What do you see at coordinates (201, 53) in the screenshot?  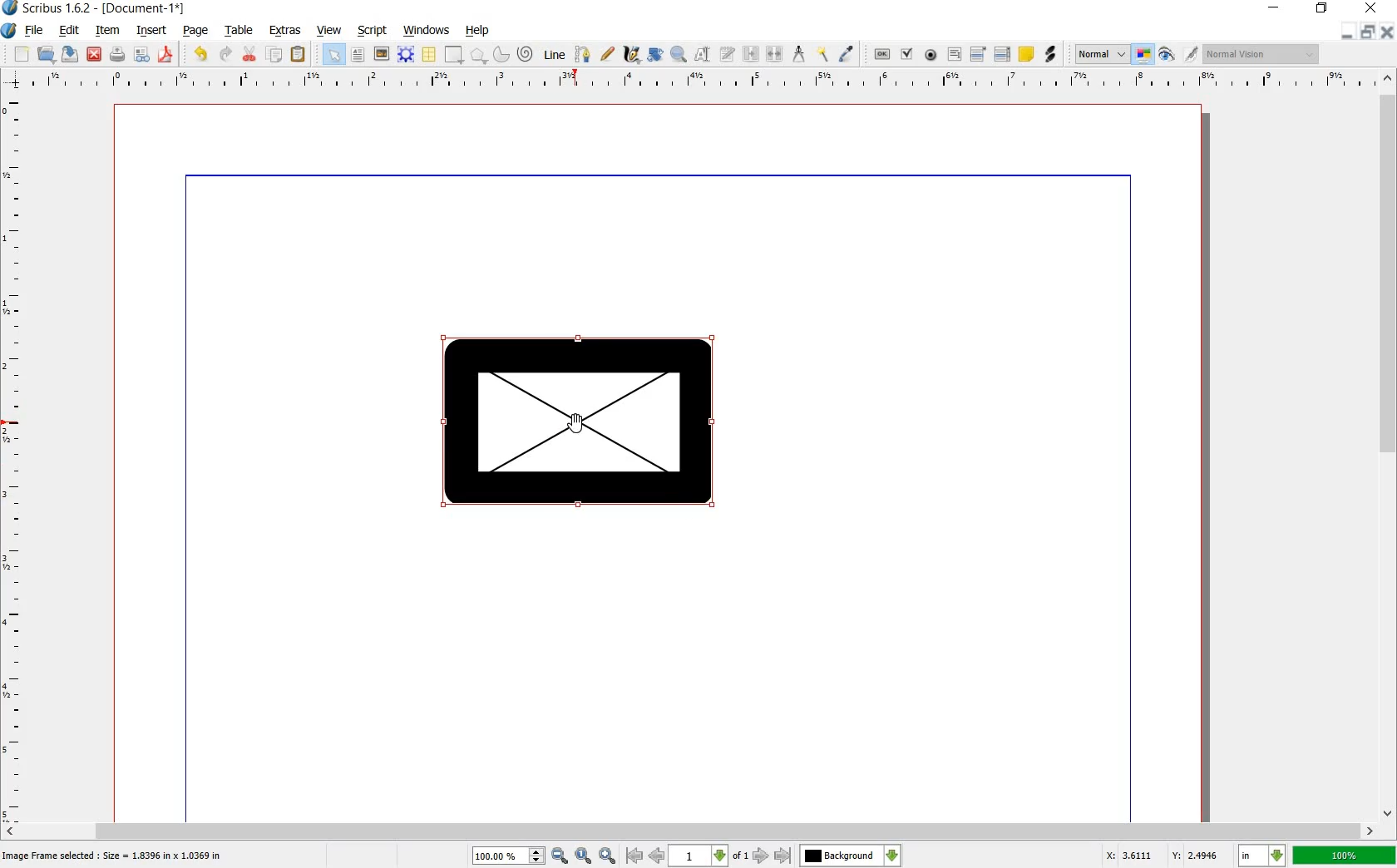 I see `undo` at bounding box center [201, 53].